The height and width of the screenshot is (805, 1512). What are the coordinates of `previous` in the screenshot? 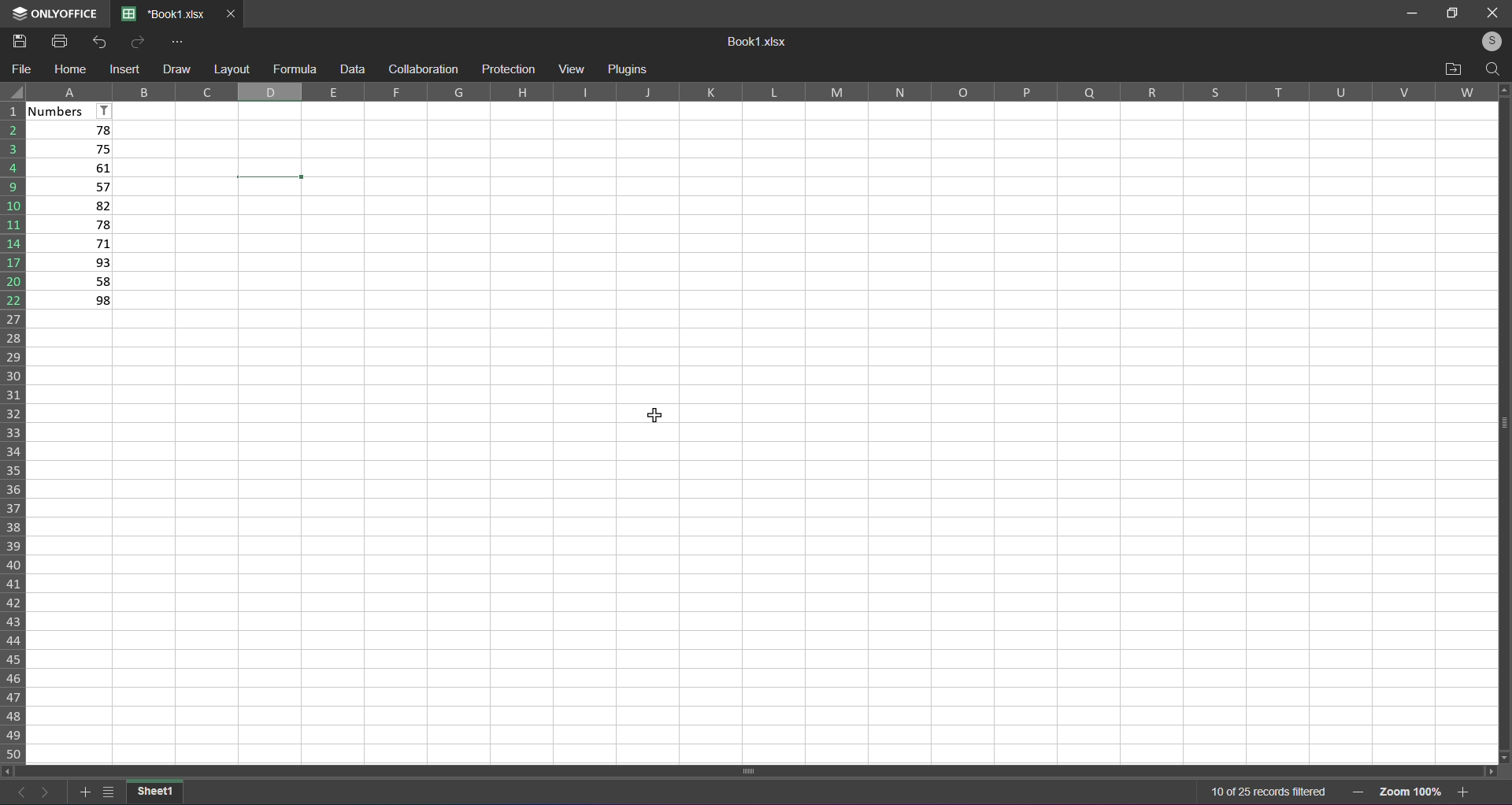 It's located at (17, 789).